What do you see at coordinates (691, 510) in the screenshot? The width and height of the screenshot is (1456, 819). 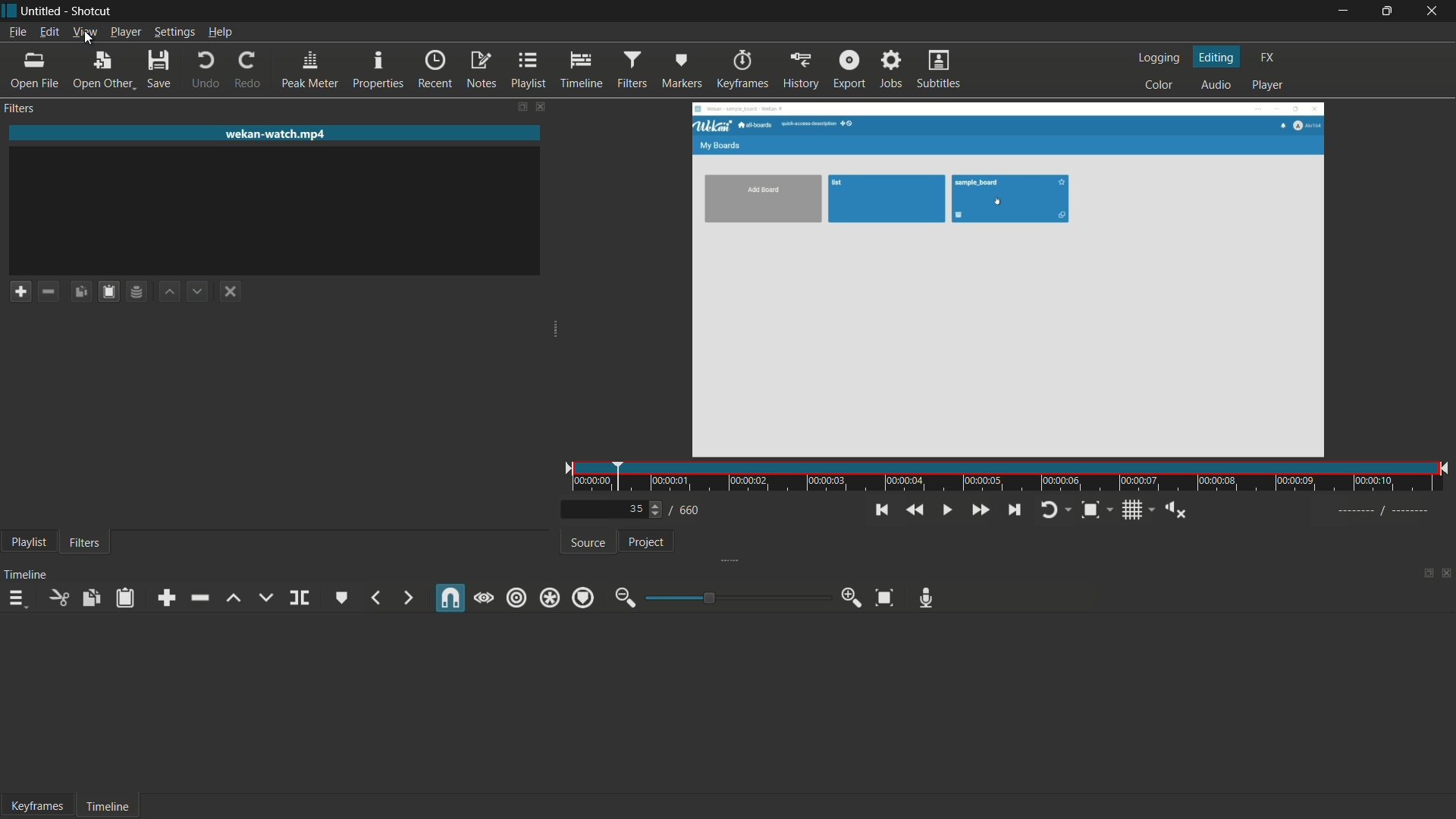 I see `total frames` at bounding box center [691, 510].